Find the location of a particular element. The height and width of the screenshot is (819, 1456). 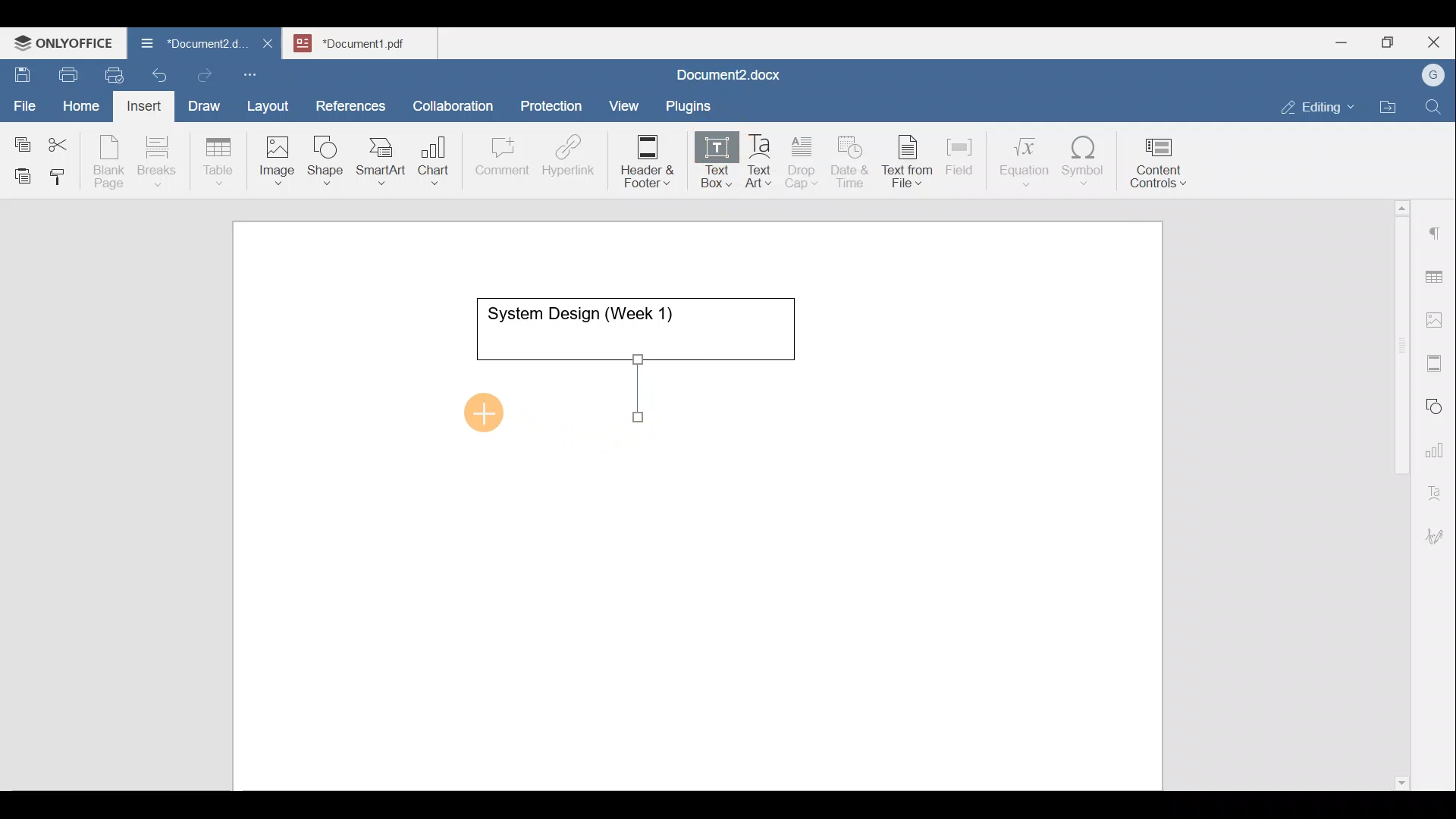

Equation is located at coordinates (1028, 161).